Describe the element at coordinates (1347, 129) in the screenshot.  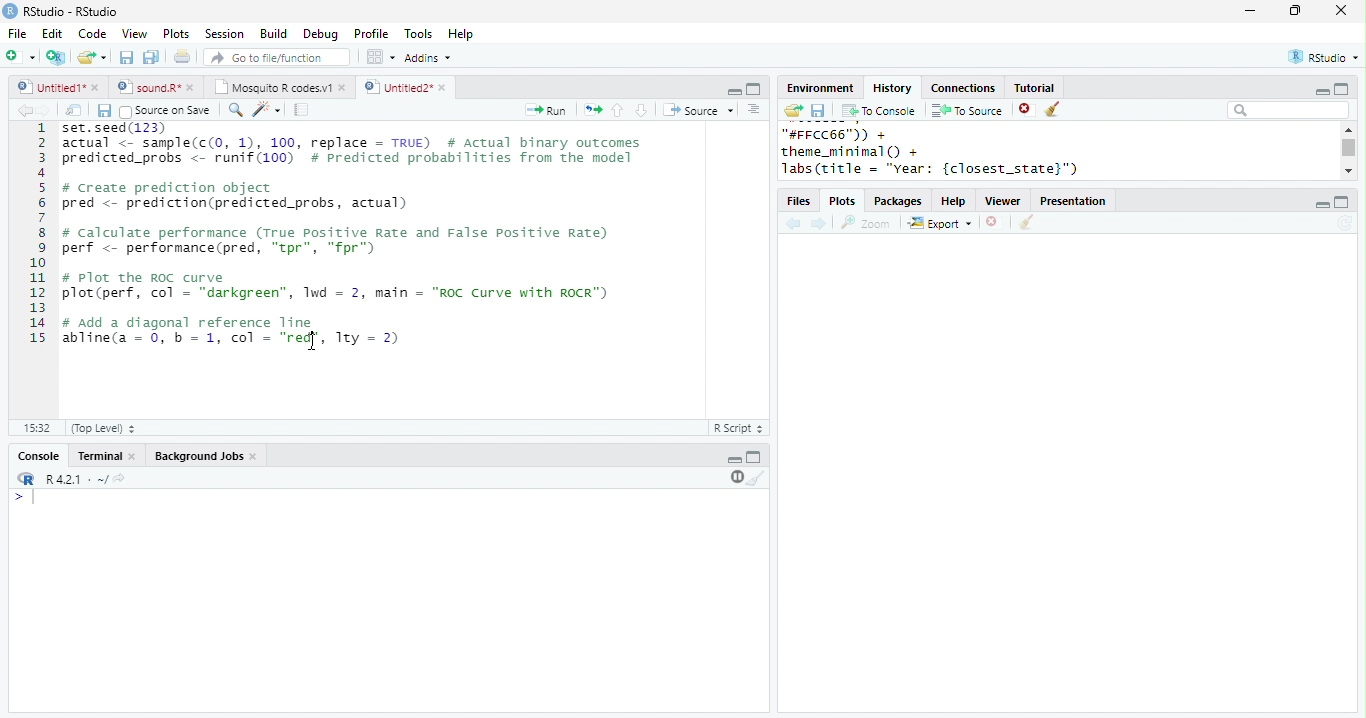
I see `scroll up` at that location.